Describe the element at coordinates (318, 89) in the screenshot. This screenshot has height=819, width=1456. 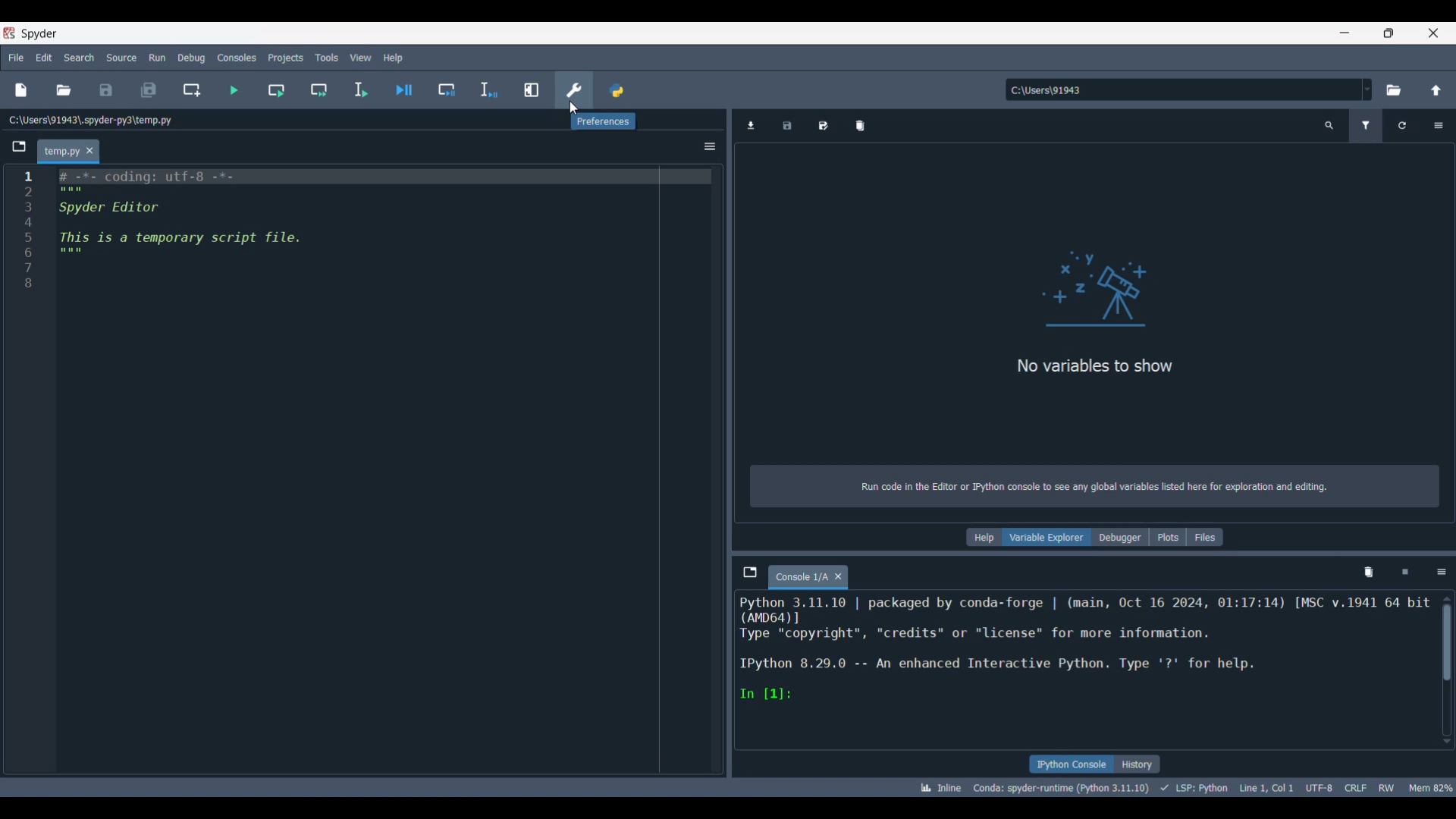
I see `Run current cell and go to next one` at that location.